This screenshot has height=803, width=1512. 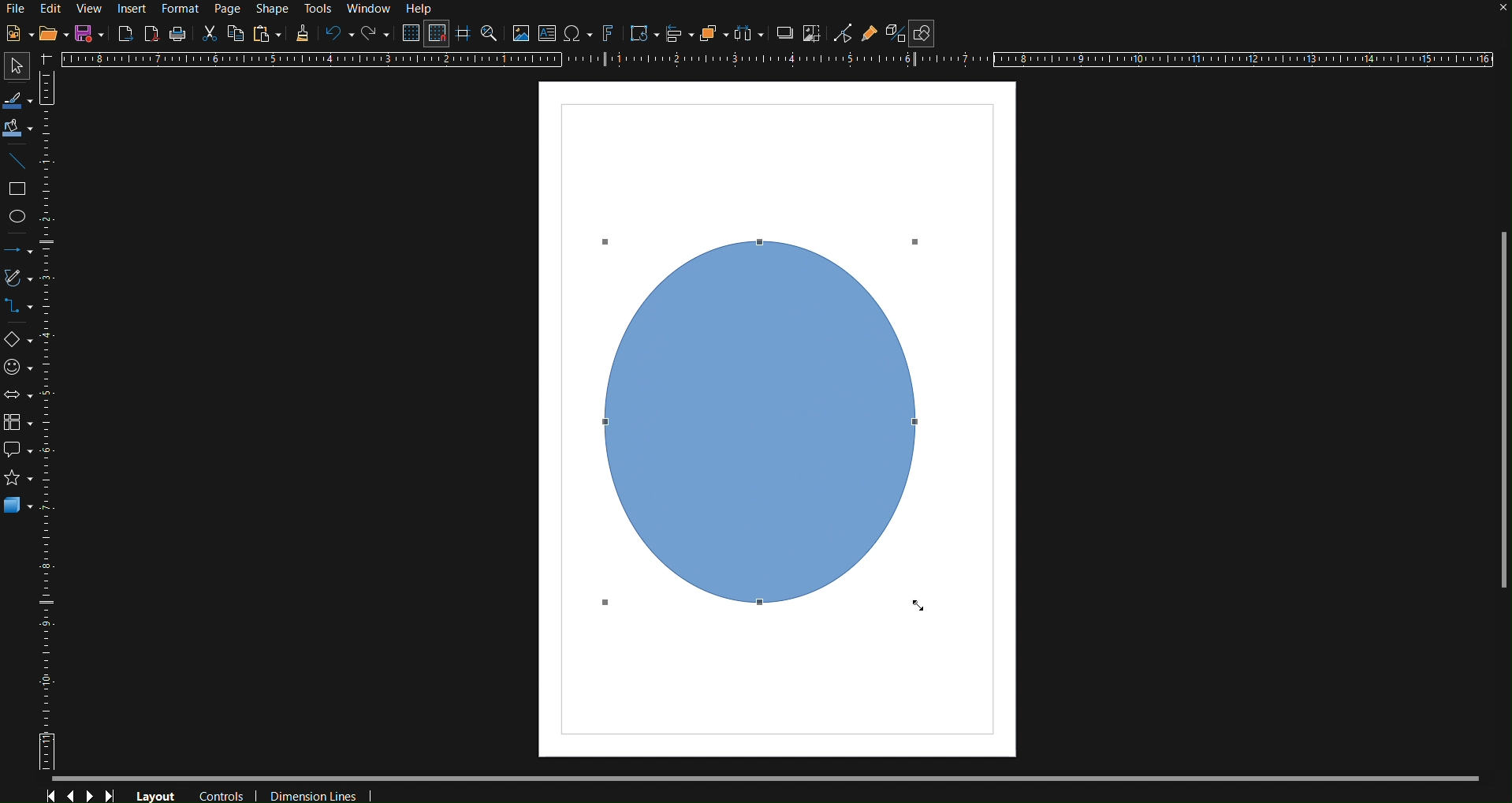 I want to click on Page, so click(x=230, y=9).